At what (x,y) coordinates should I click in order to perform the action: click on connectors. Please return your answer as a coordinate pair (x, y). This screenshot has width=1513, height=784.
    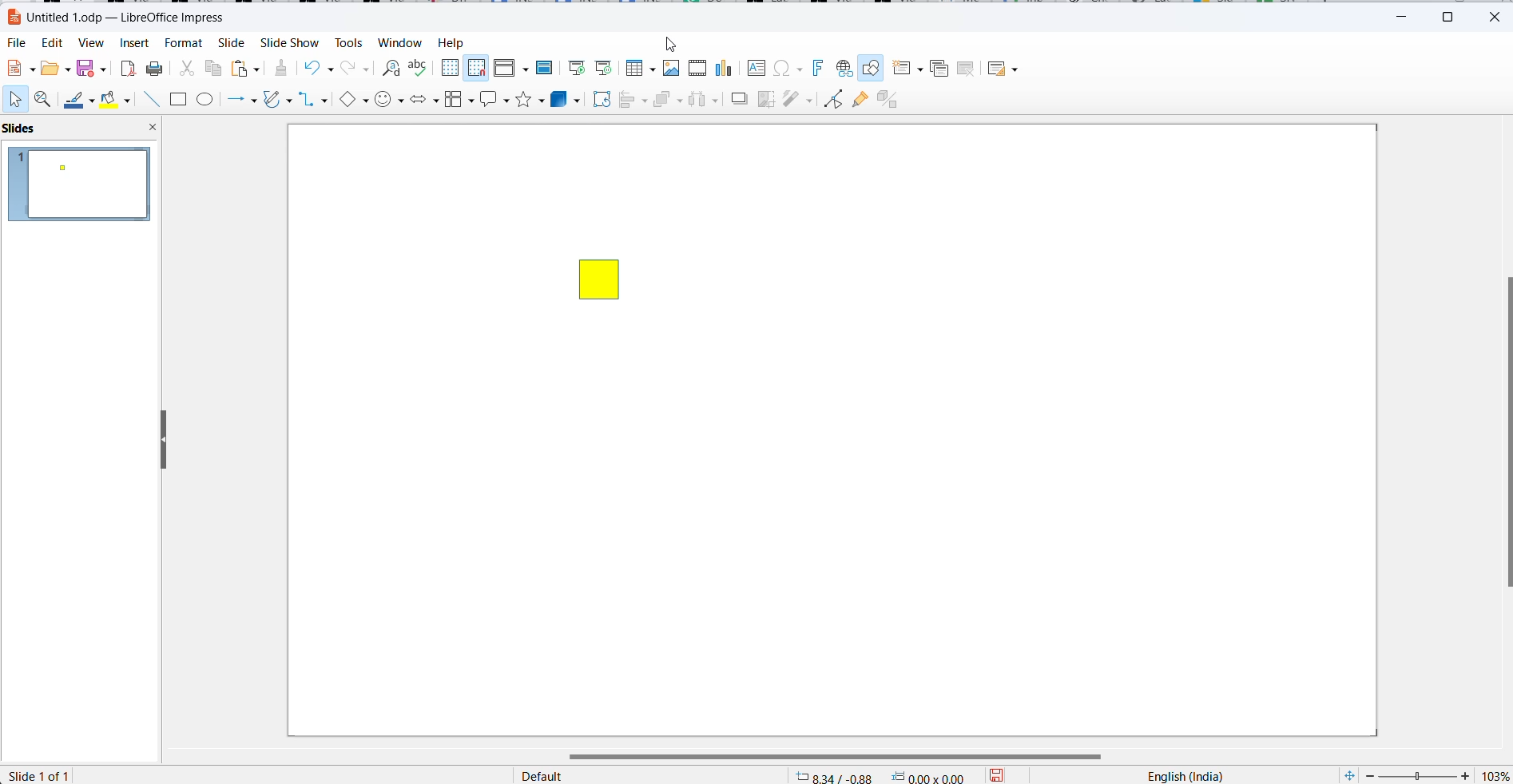
    Looking at the image, I should click on (313, 101).